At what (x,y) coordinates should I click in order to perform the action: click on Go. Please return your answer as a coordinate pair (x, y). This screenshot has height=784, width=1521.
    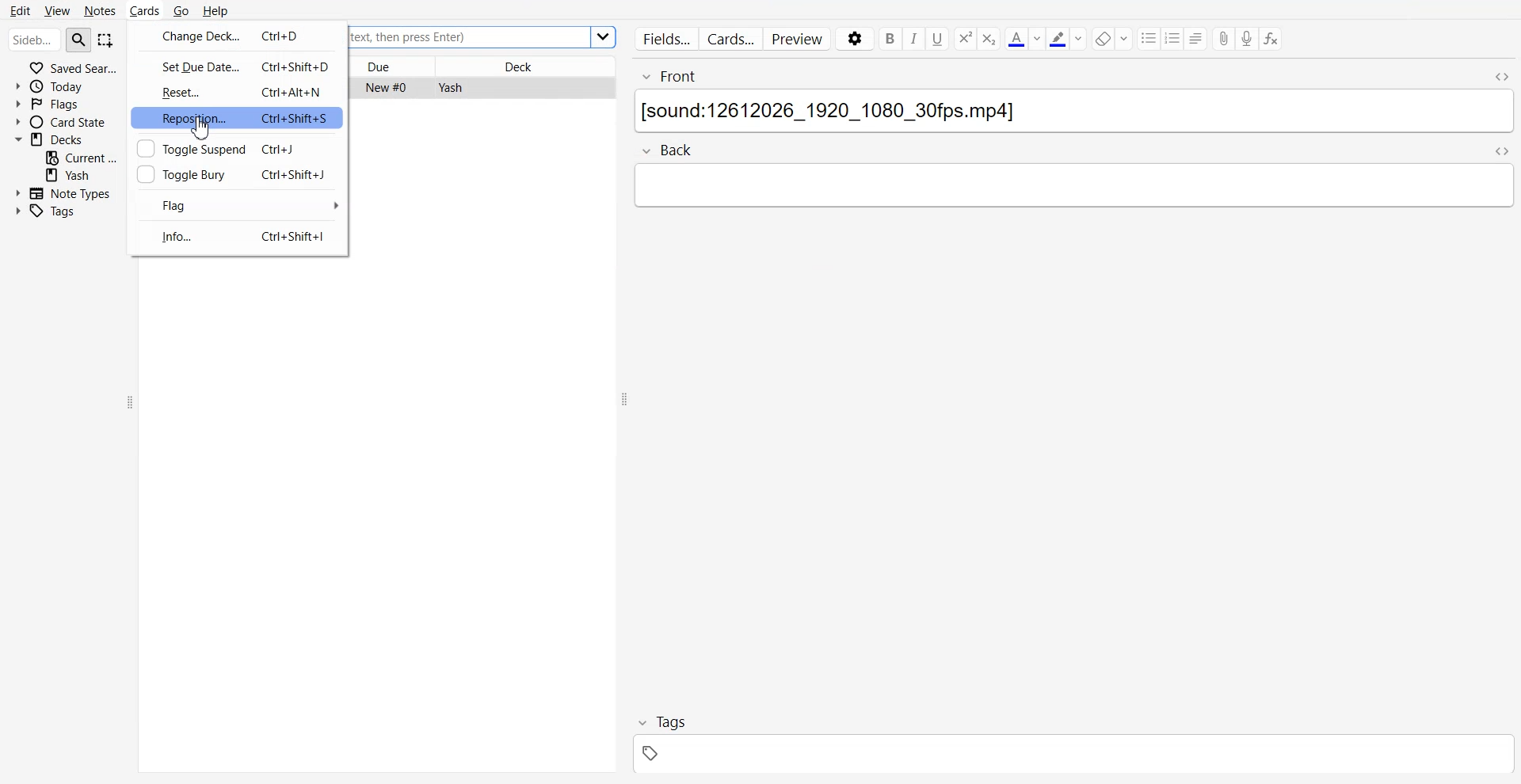
    Looking at the image, I should click on (180, 10).